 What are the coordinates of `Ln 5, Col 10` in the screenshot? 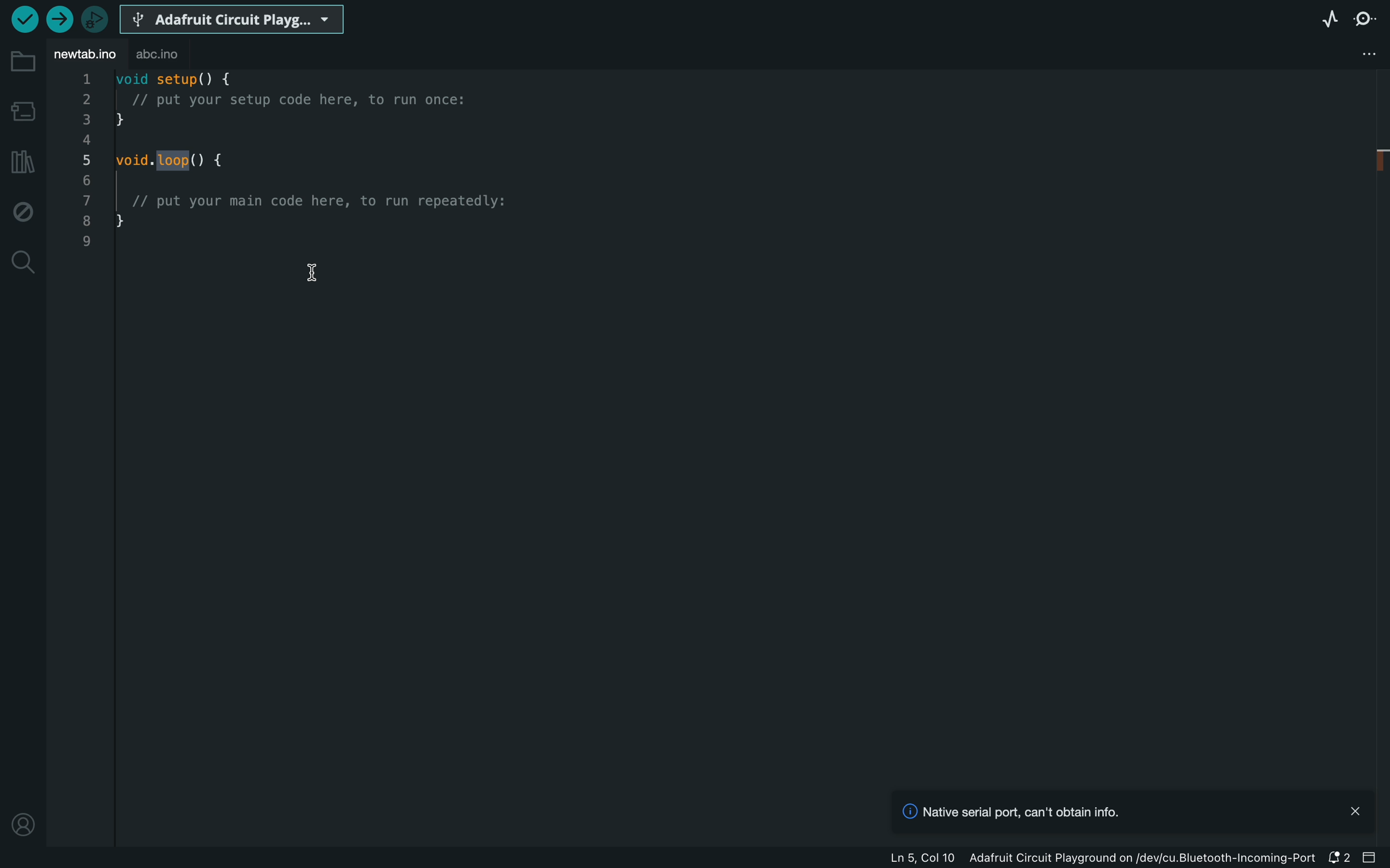 It's located at (926, 859).